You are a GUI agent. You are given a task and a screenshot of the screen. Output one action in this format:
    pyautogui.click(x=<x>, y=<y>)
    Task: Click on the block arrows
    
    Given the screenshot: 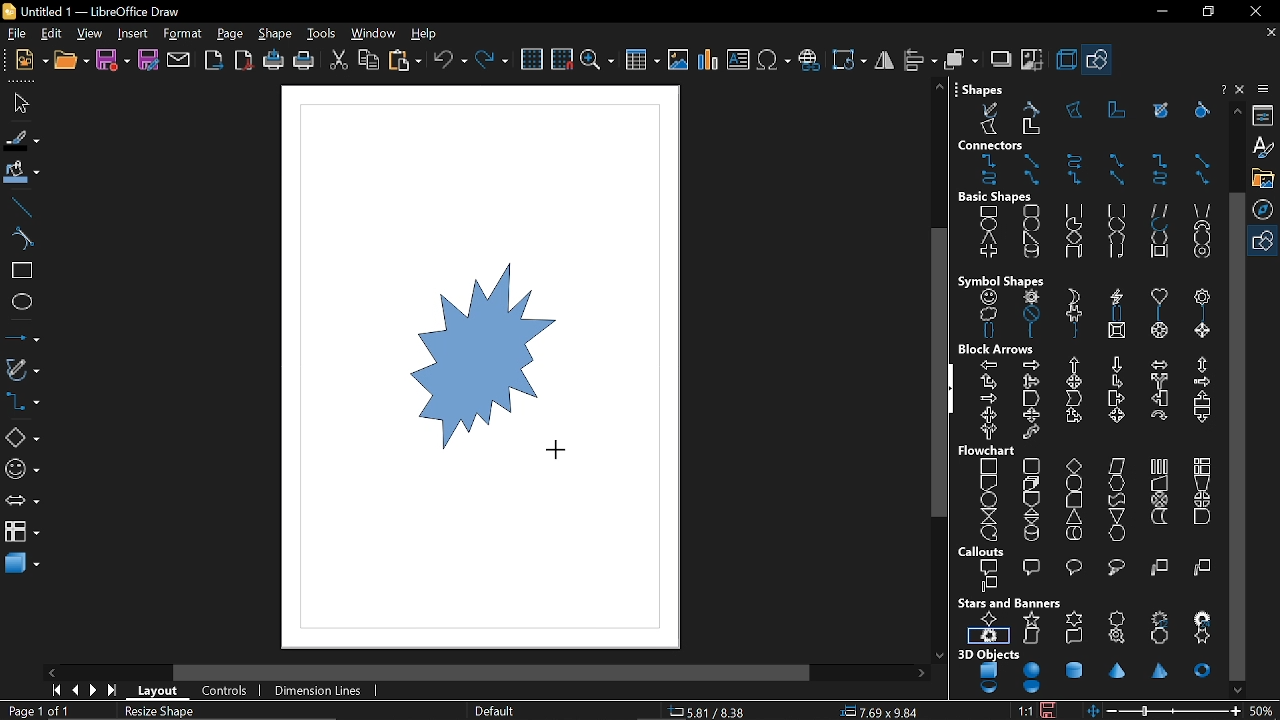 What is the action you would take?
    pyautogui.click(x=1090, y=392)
    